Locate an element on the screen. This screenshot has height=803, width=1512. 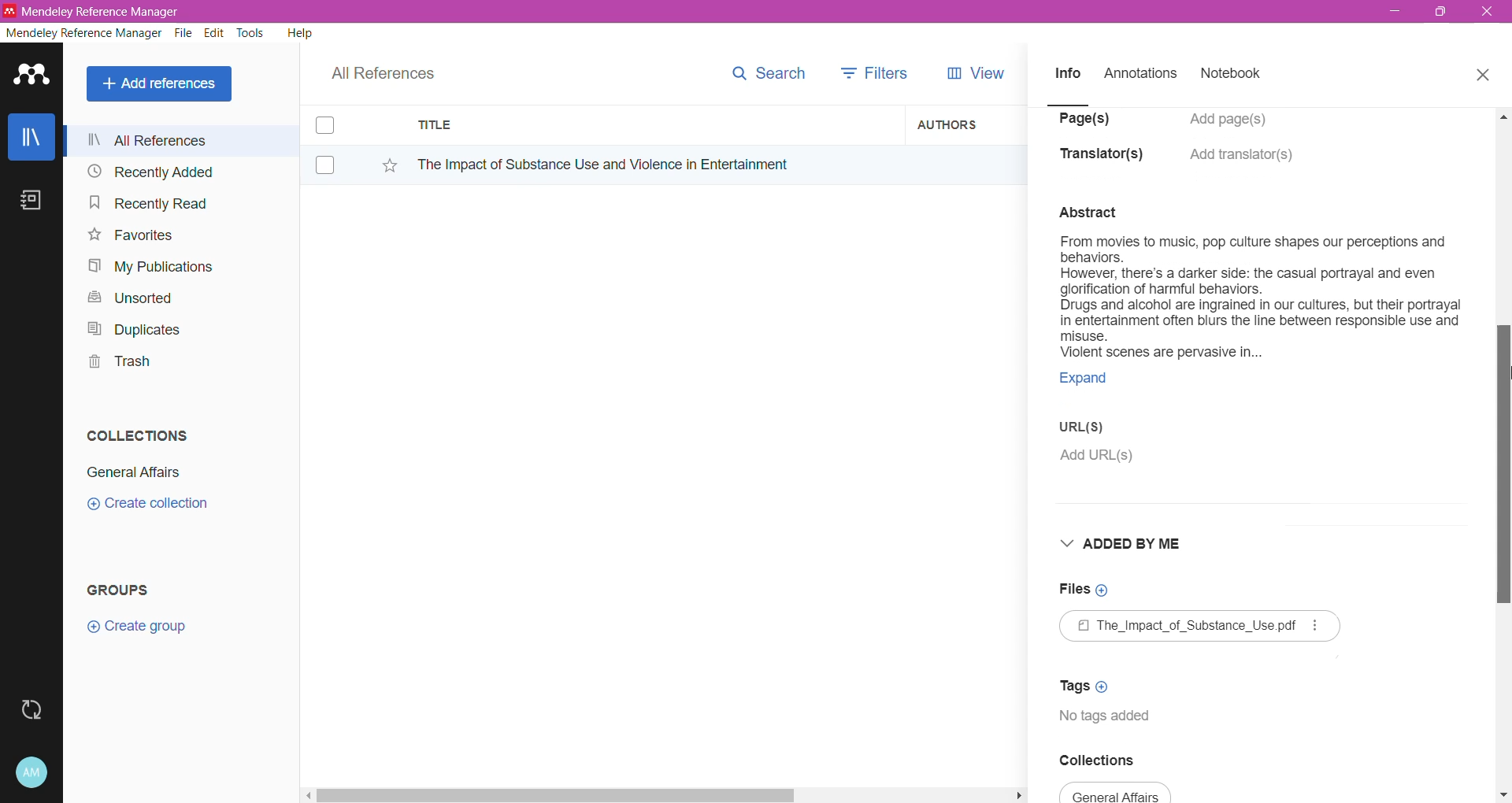
Title is located at coordinates (654, 125).